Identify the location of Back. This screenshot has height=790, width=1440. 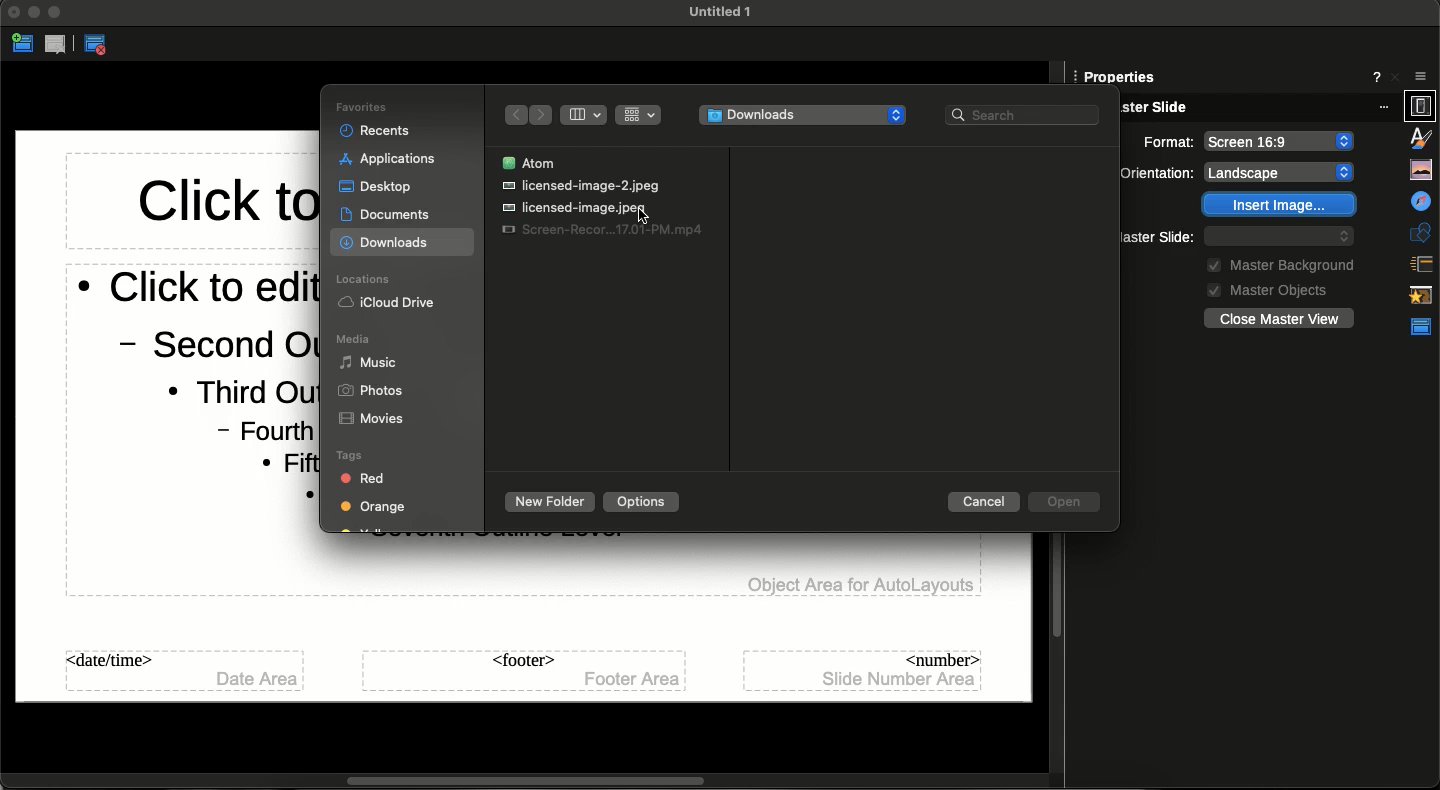
(512, 115).